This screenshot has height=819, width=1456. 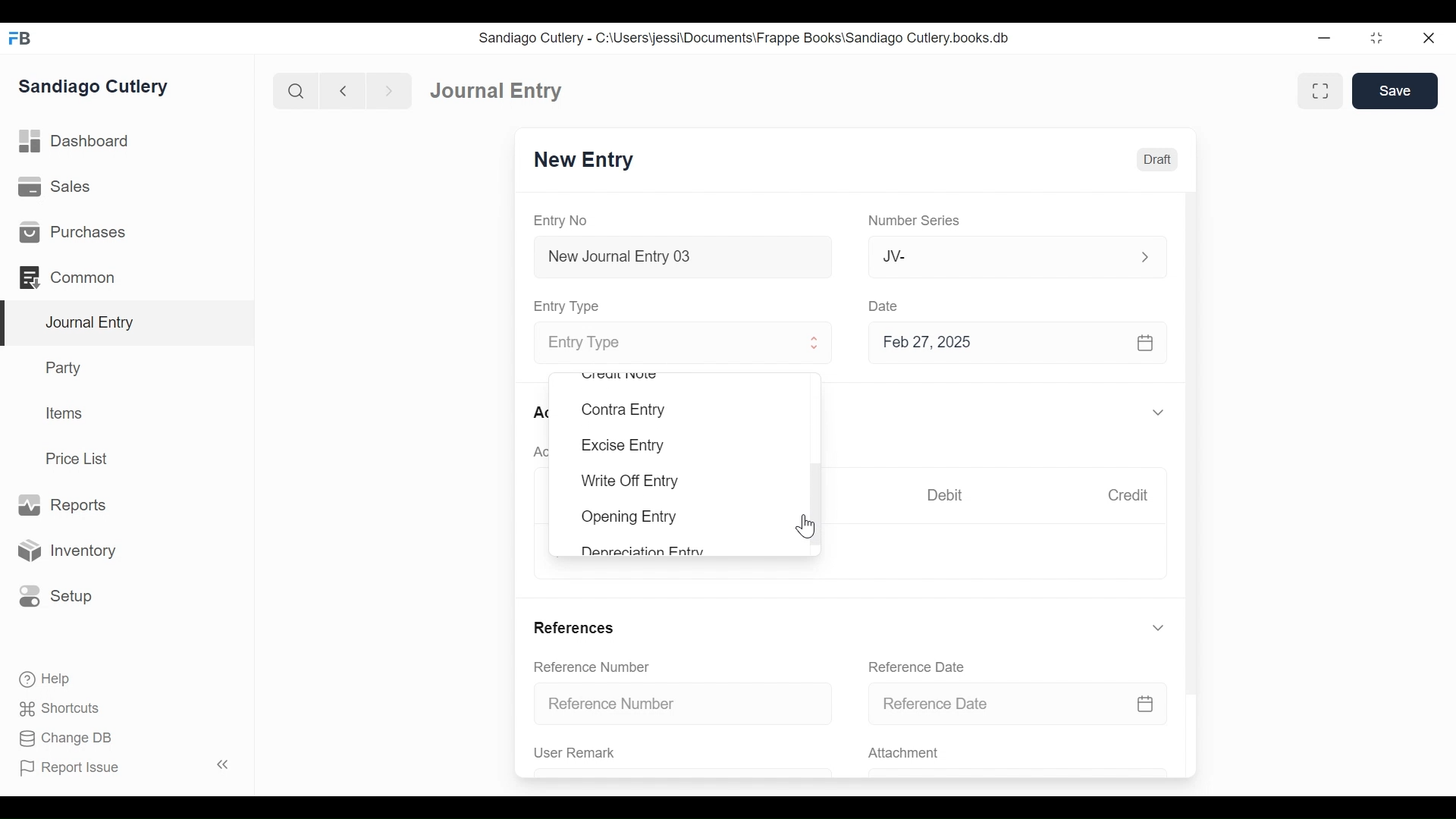 I want to click on Navigate forward, so click(x=388, y=91).